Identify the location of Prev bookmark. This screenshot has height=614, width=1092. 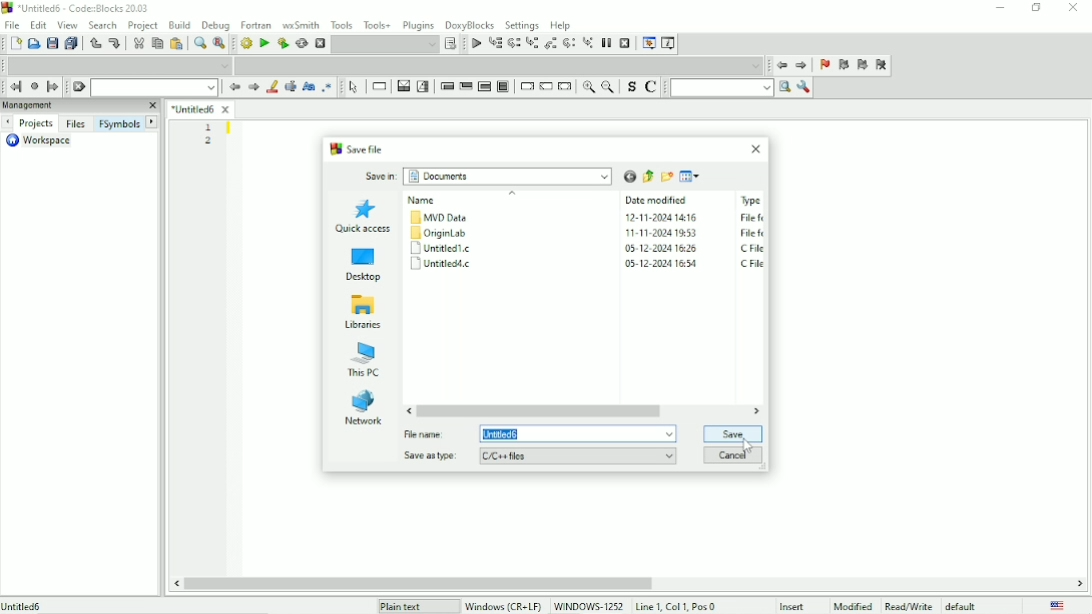
(843, 65).